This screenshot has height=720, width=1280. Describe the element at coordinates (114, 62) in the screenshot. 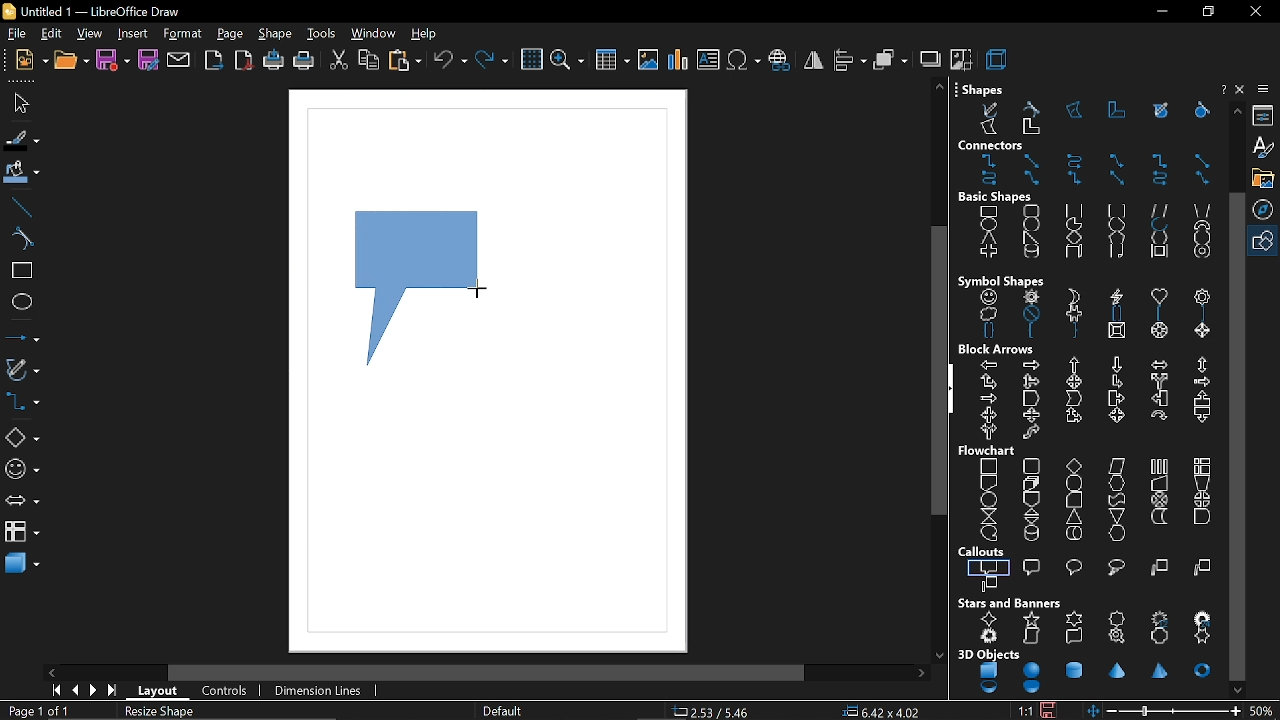

I see `save` at that location.